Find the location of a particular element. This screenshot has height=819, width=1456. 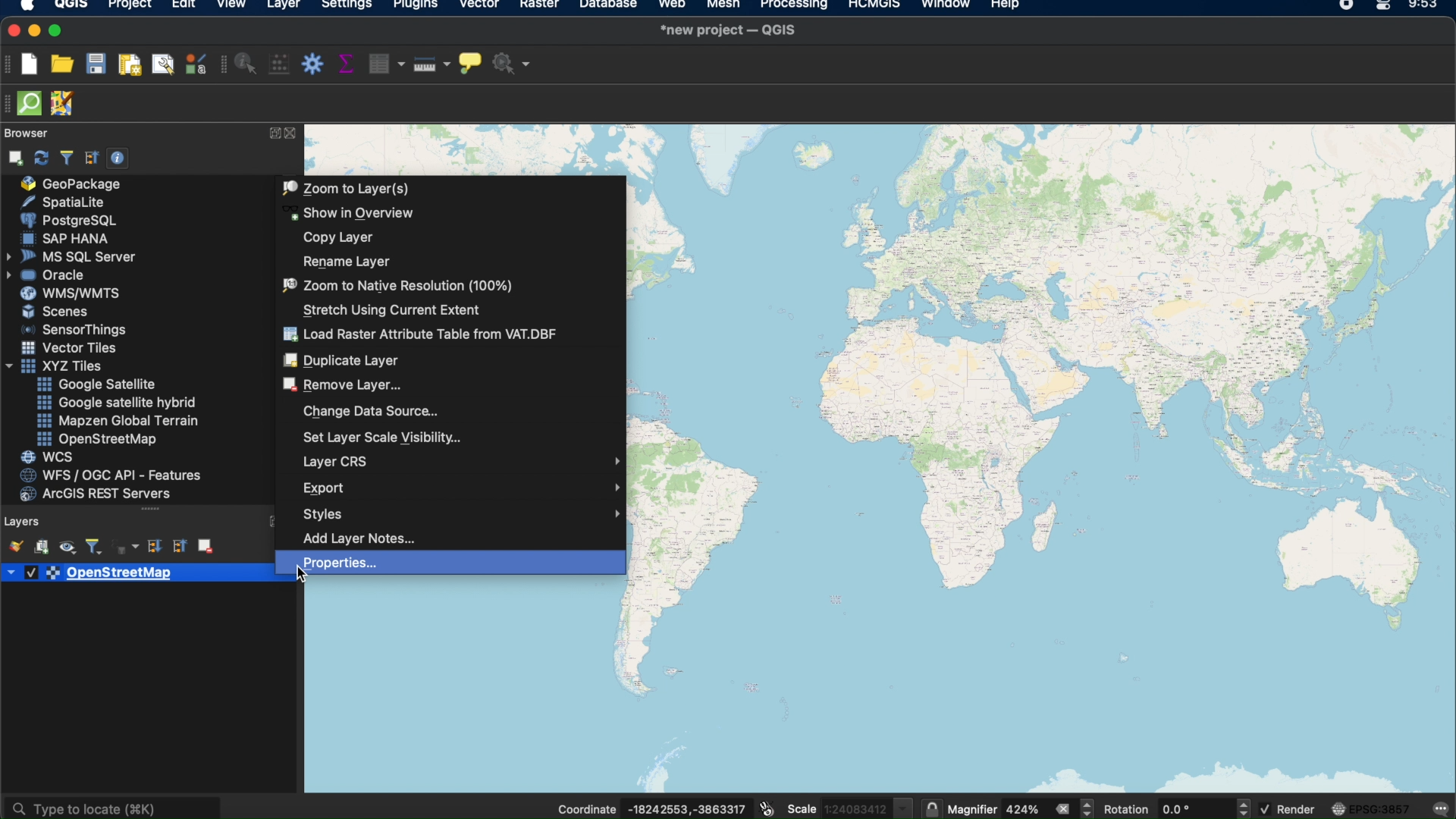

open project is located at coordinates (62, 64).